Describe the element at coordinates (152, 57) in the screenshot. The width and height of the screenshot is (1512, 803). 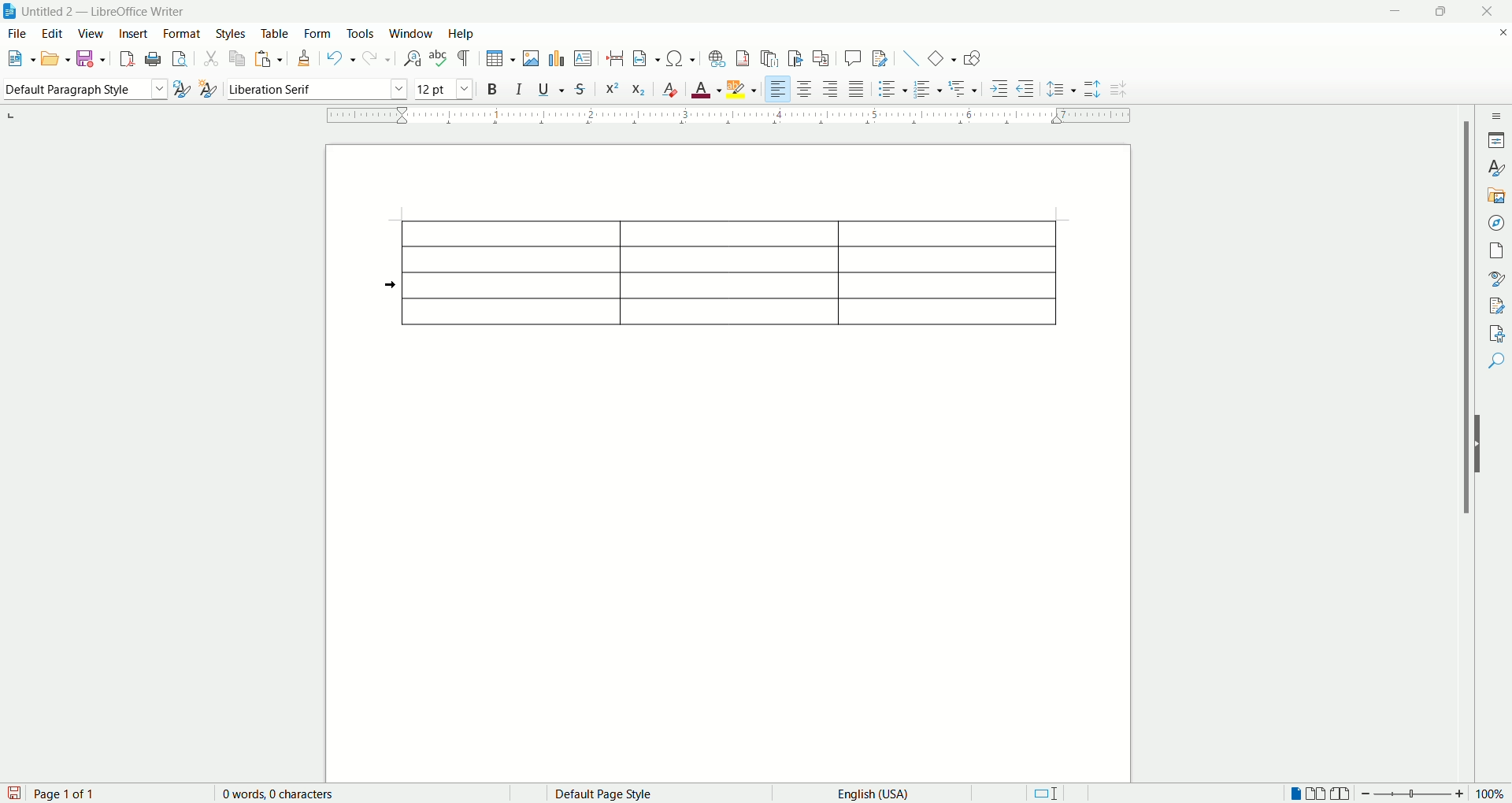
I see `print` at that location.